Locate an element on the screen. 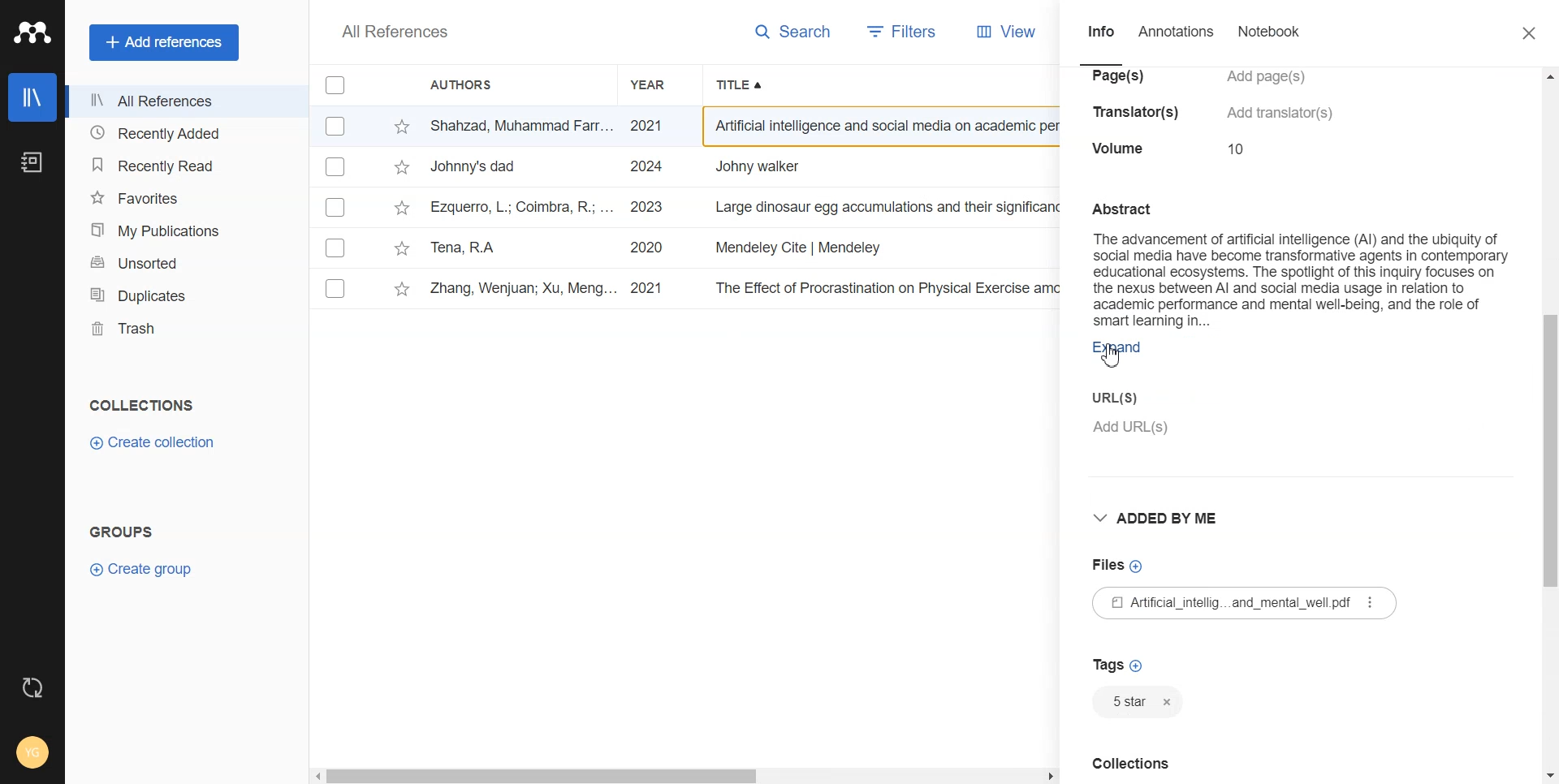 This screenshot has height=784, width=1559. add is located at coordinates (1286, 111).